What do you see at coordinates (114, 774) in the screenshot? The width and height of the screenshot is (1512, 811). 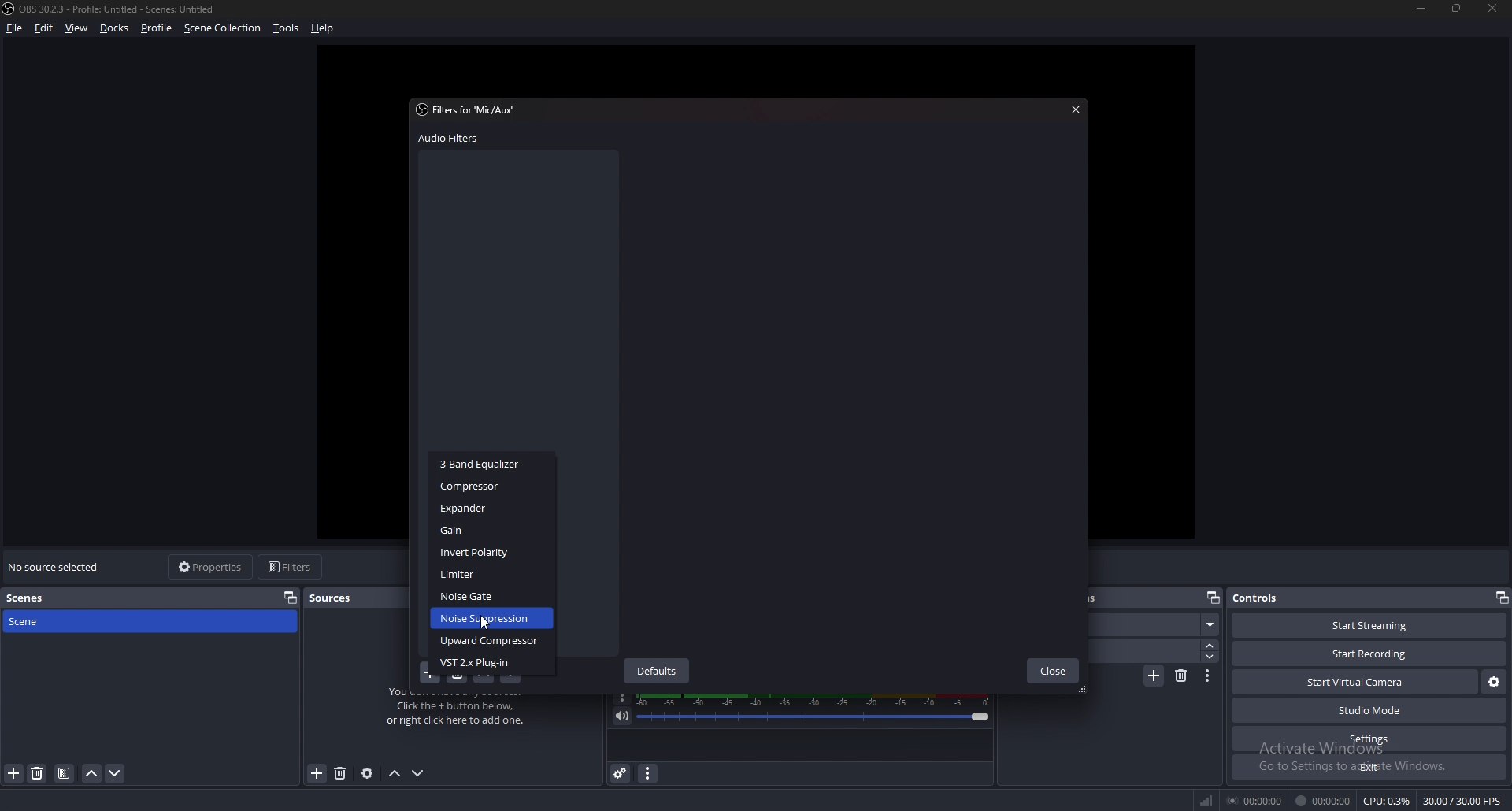 I see `move scene down` at bounding box center [114, 774].